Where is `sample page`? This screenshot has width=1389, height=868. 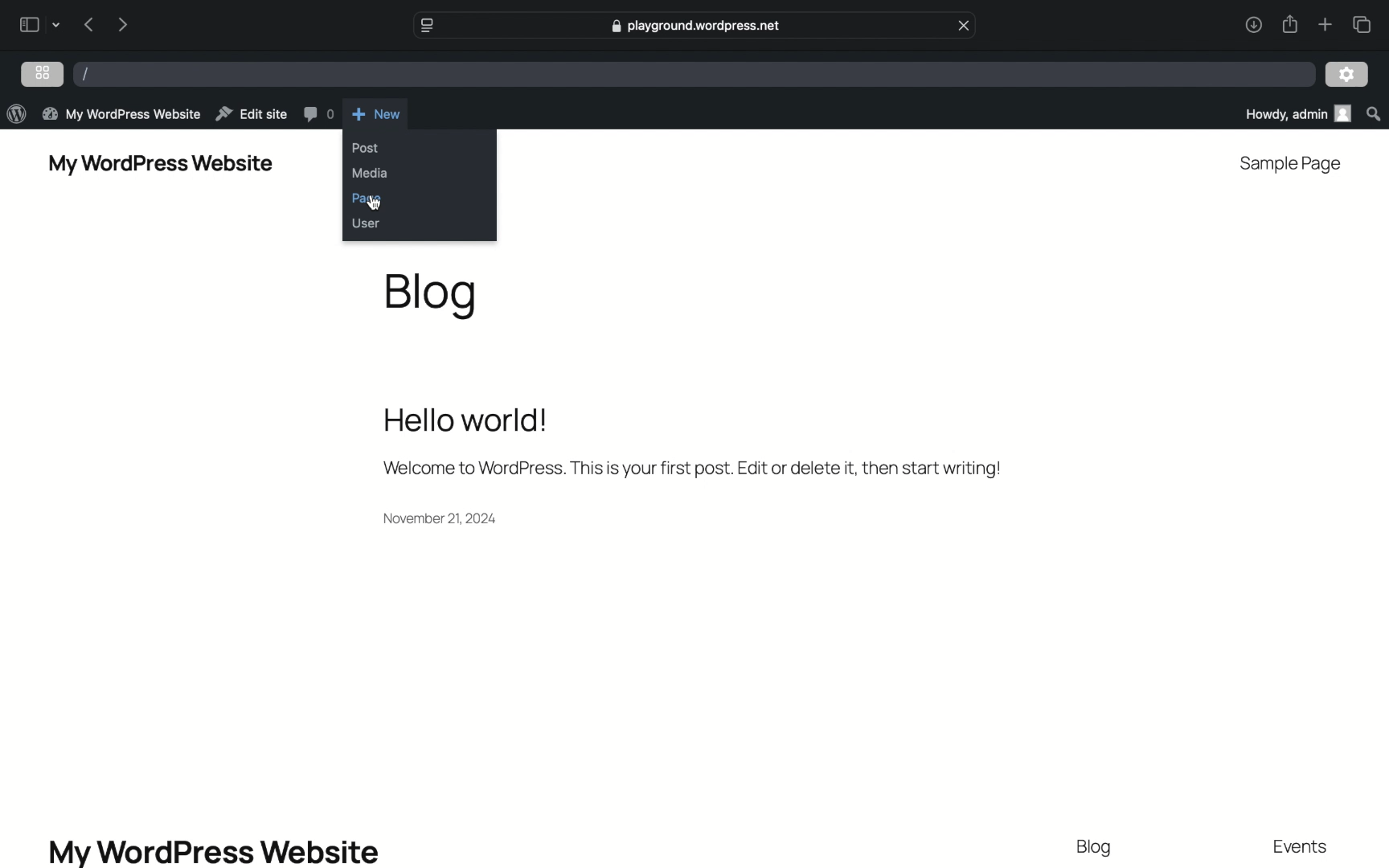 sample page is located at coordinates (1293, 165).